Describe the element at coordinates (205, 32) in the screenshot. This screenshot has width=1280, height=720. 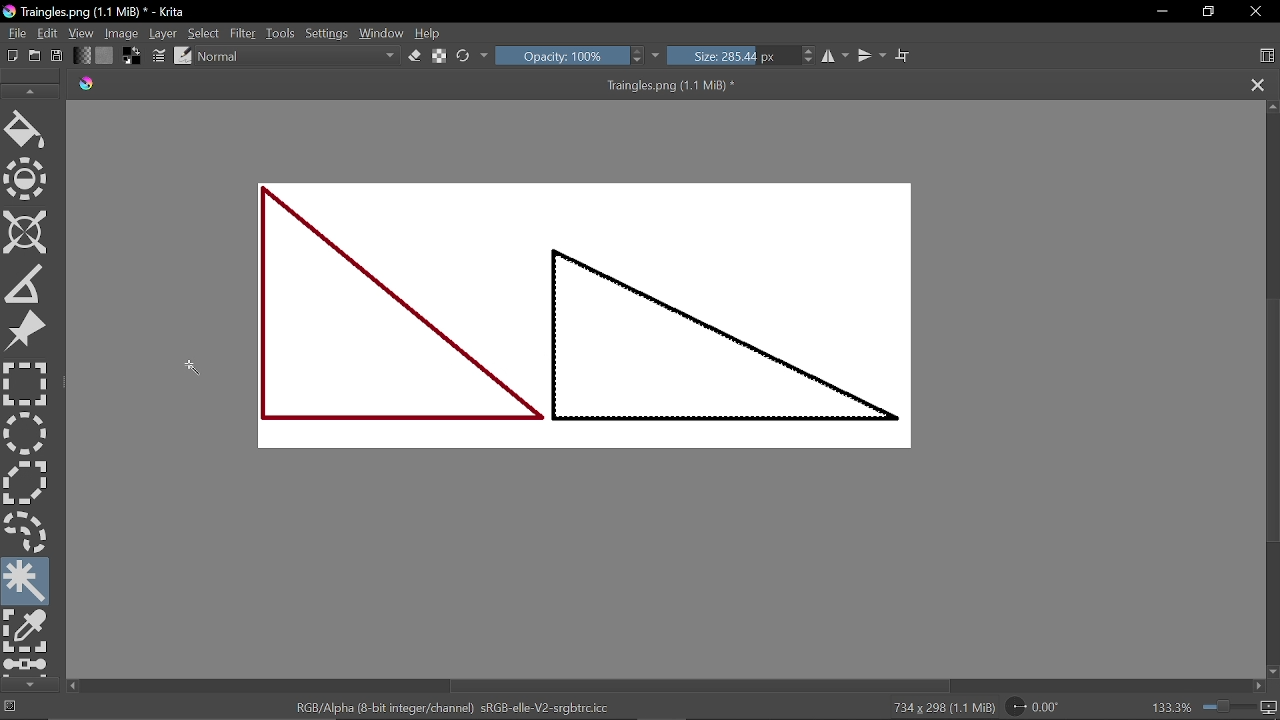
I see `Select` at that location.